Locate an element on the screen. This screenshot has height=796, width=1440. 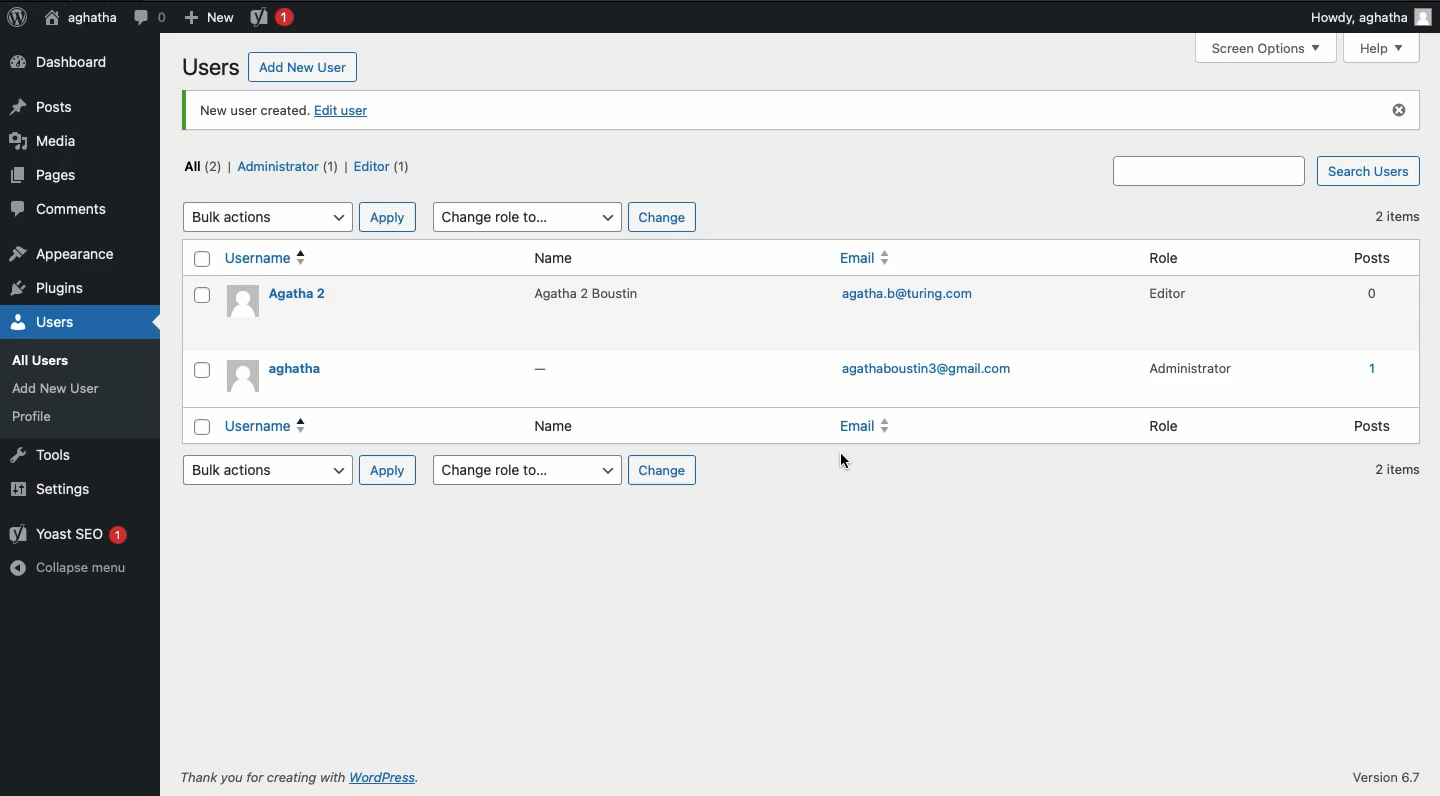
Checkbox is located at coordinates (202, 260).